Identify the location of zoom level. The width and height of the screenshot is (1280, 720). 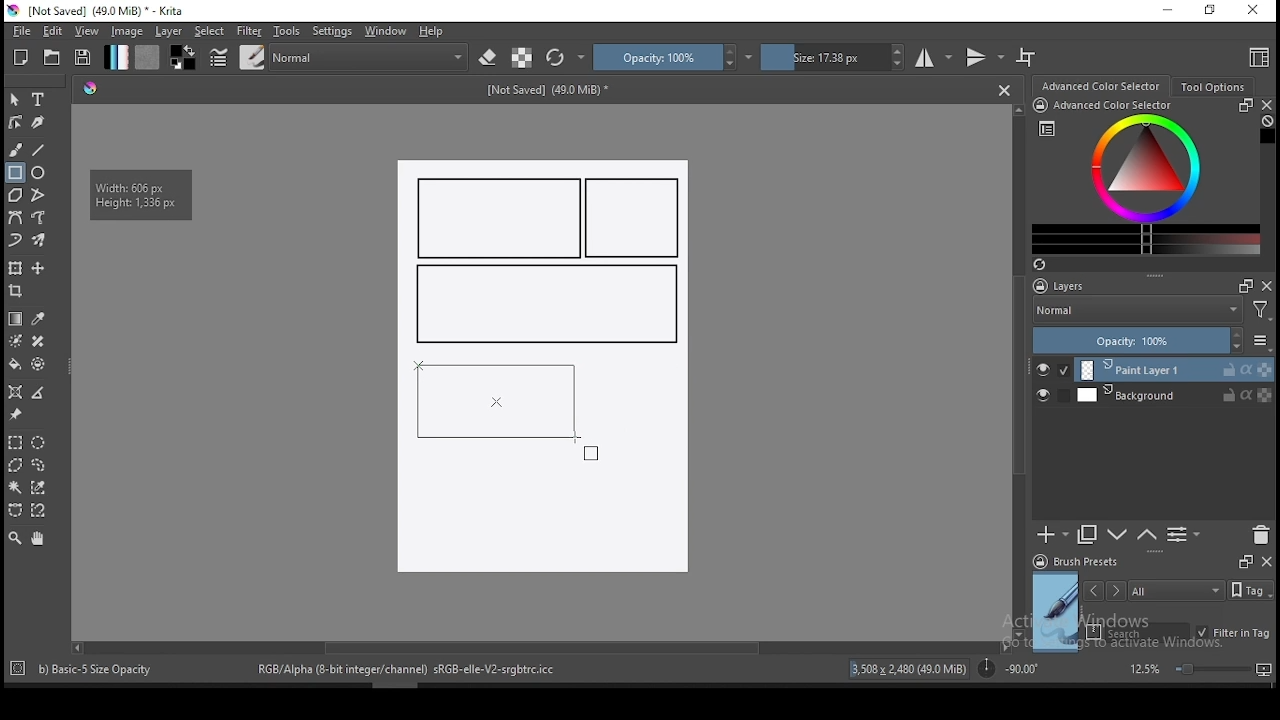
(1200, 668).